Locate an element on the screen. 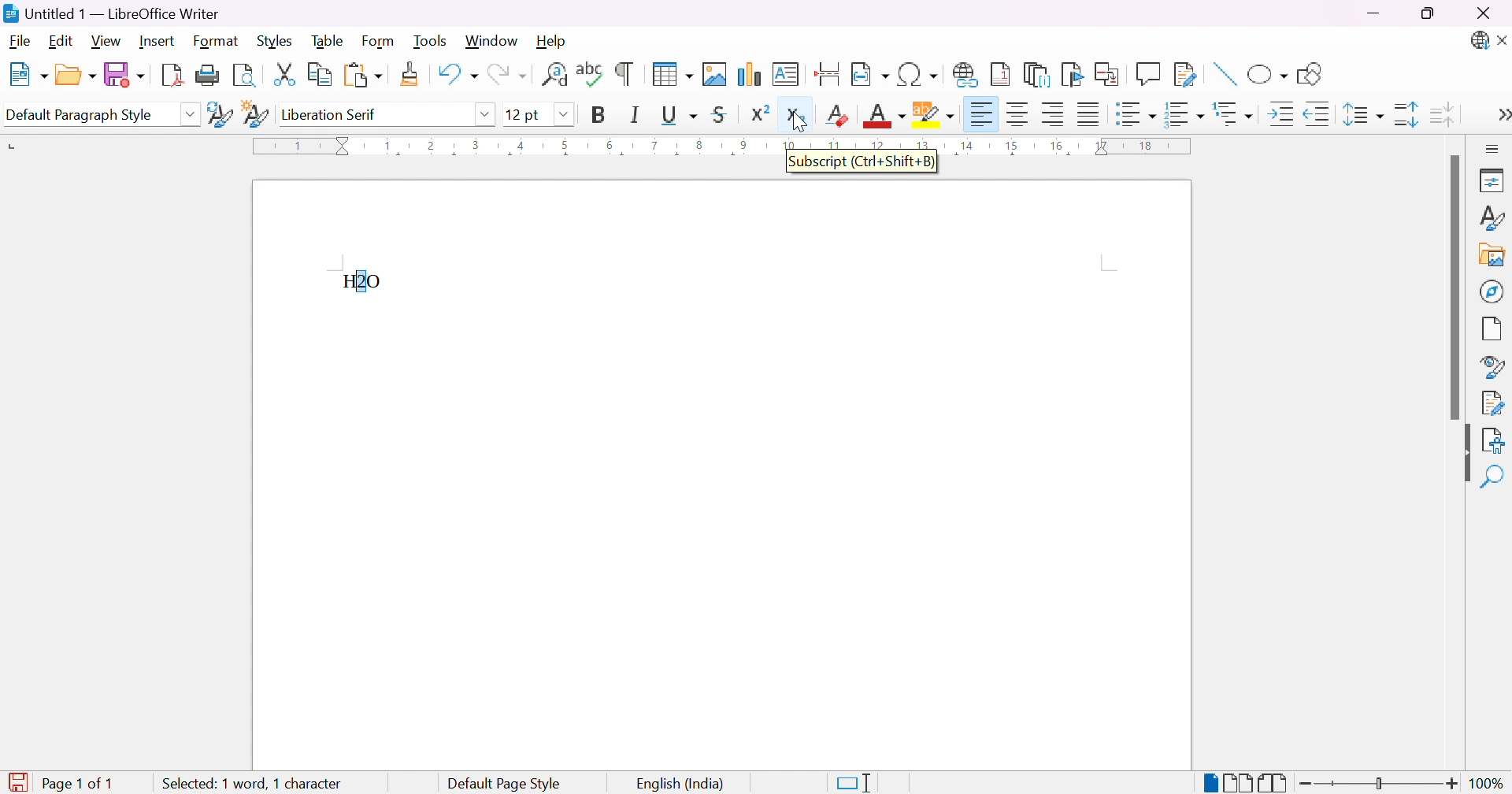 Image resolution: width=1512 pixels, height=794 pixels. Find is located at coordinates (1492, 478).